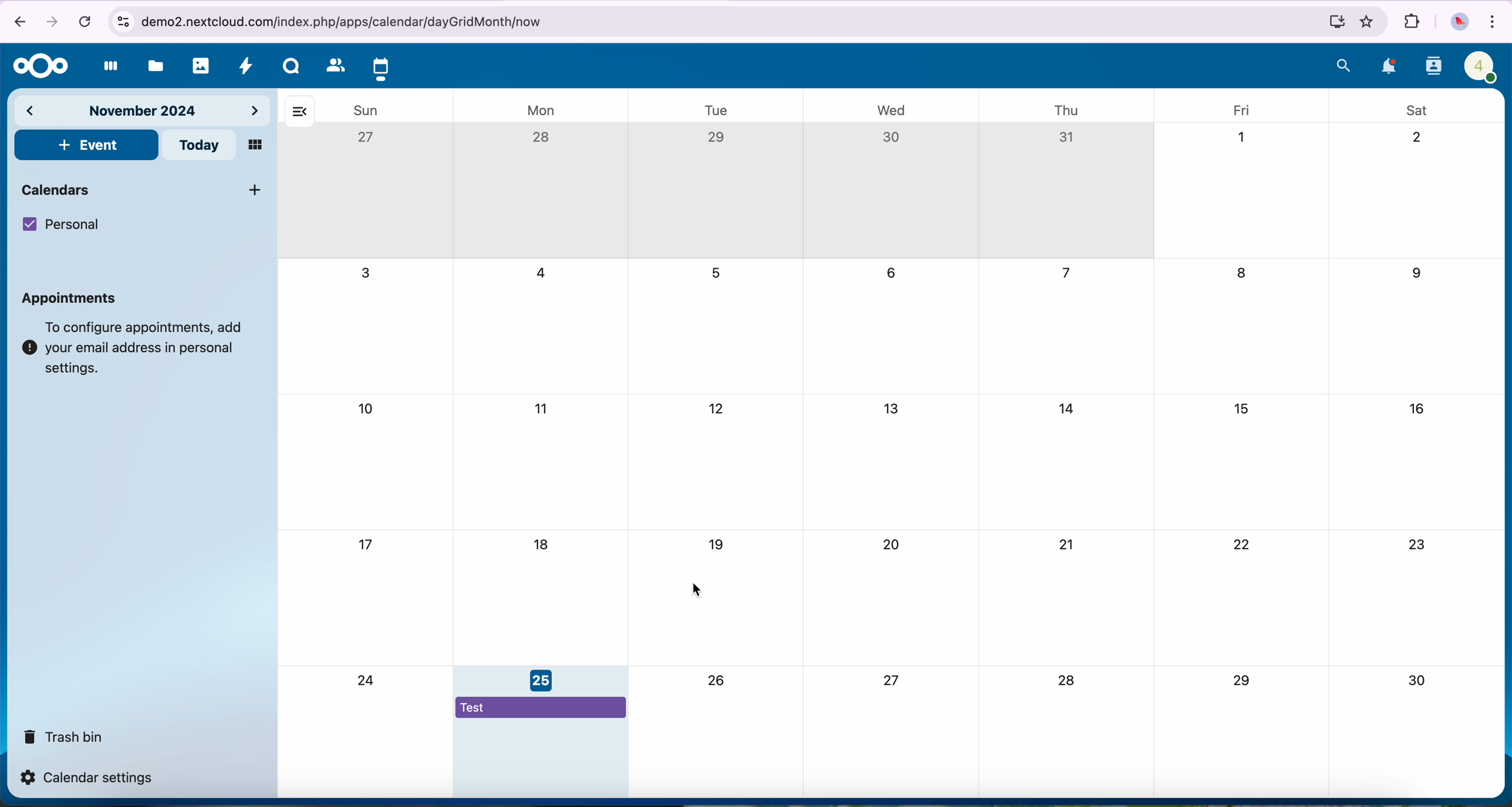  What do you see at coordinates (1481, 66) in the screenshot?
I see `profile` at bounding box center [1481, 66].